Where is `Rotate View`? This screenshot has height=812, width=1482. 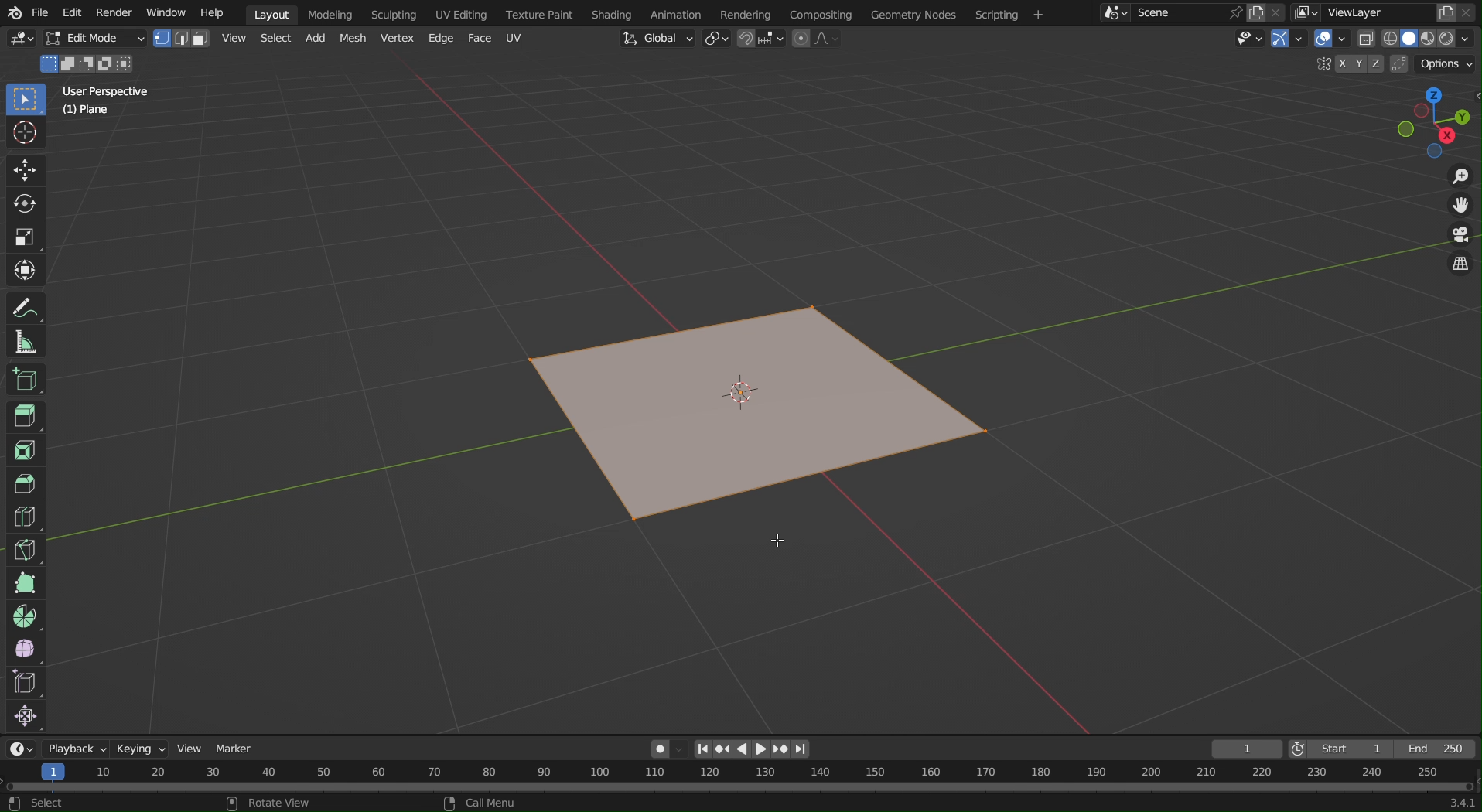
Rotate View is located at coordinates (275, 803).